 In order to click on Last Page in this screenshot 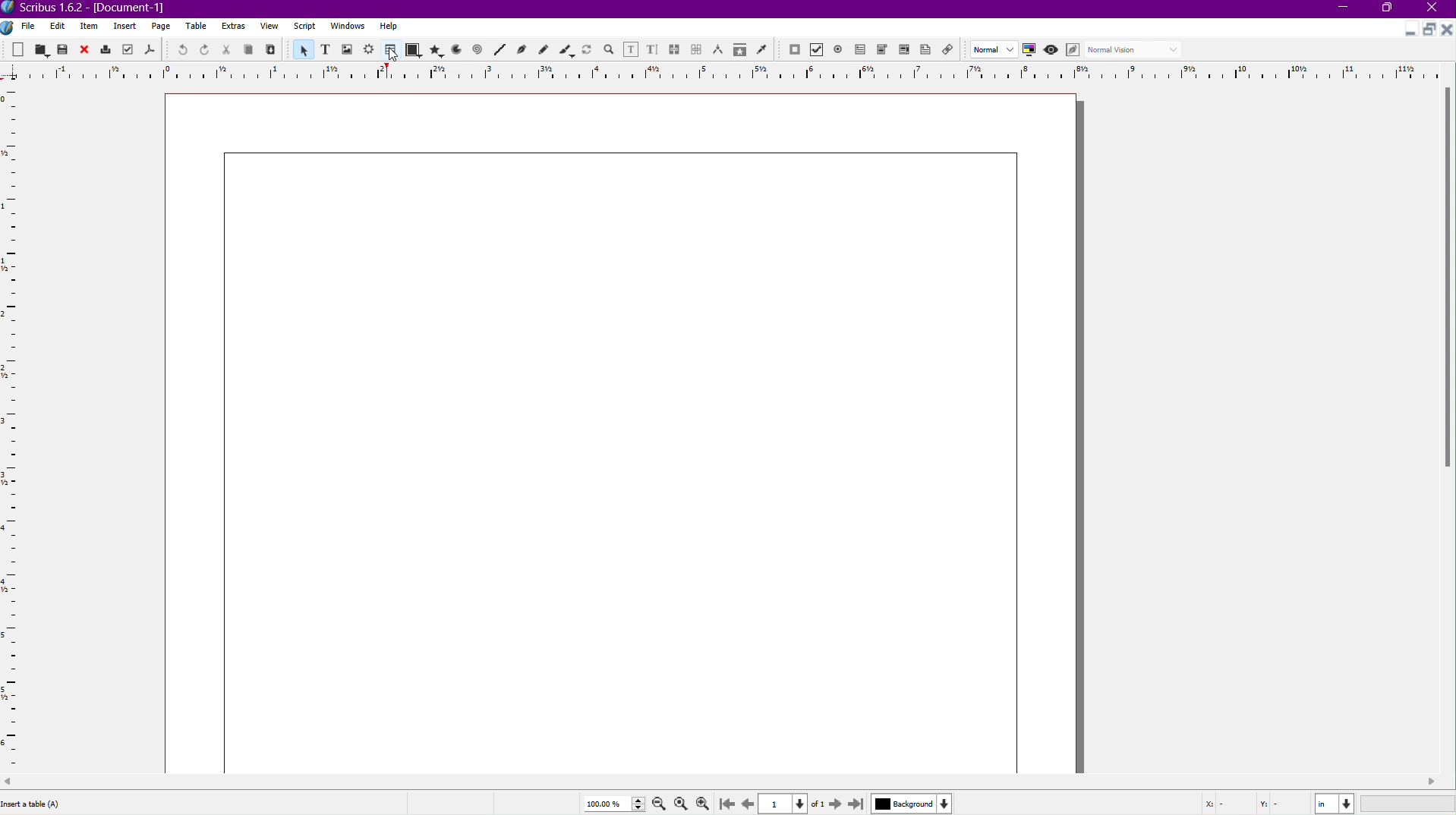, I will do `click(857, 803)`.